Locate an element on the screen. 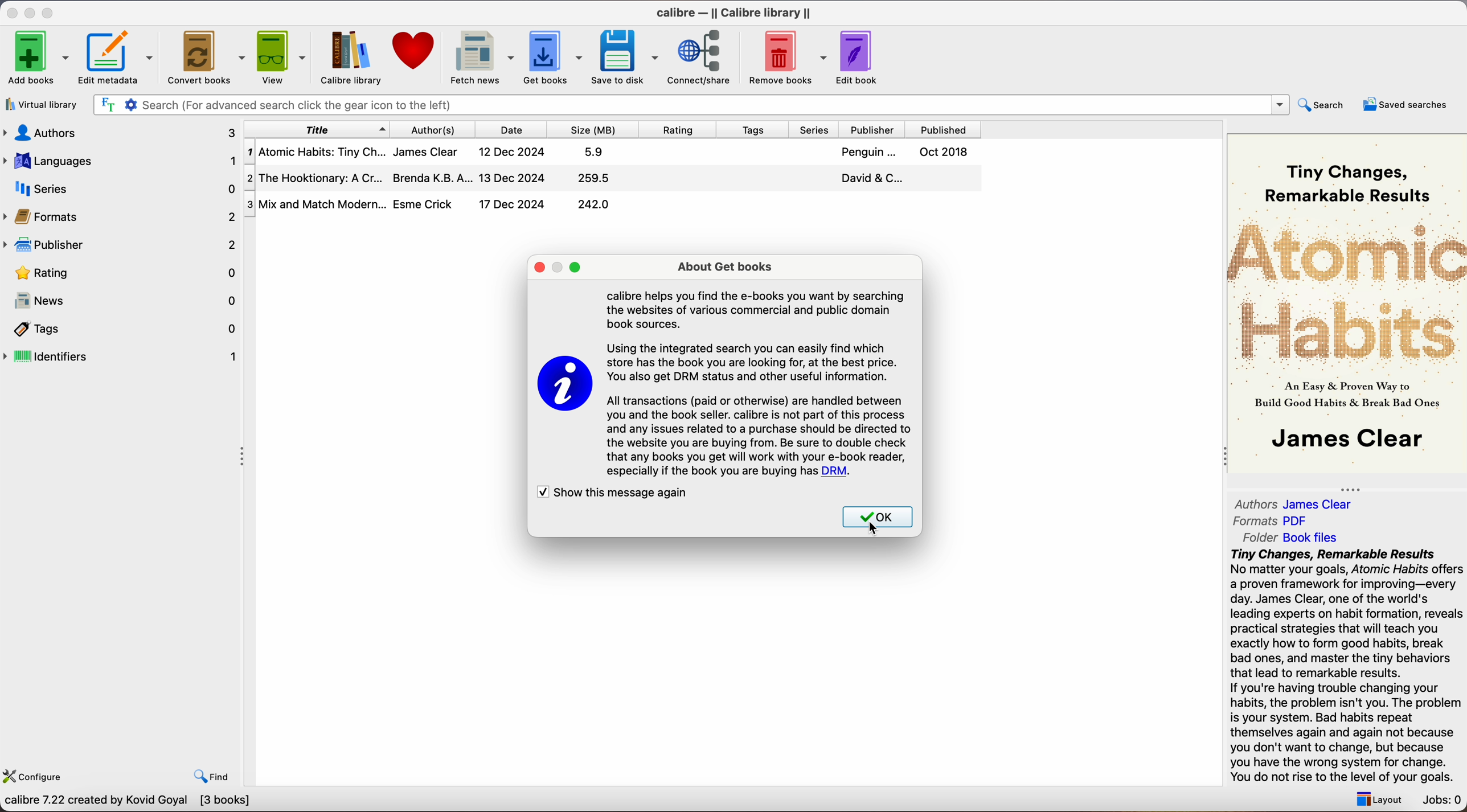 The height and width of the screenshot is (812, 1467). saved searches is located at coordinates (1405, 104).